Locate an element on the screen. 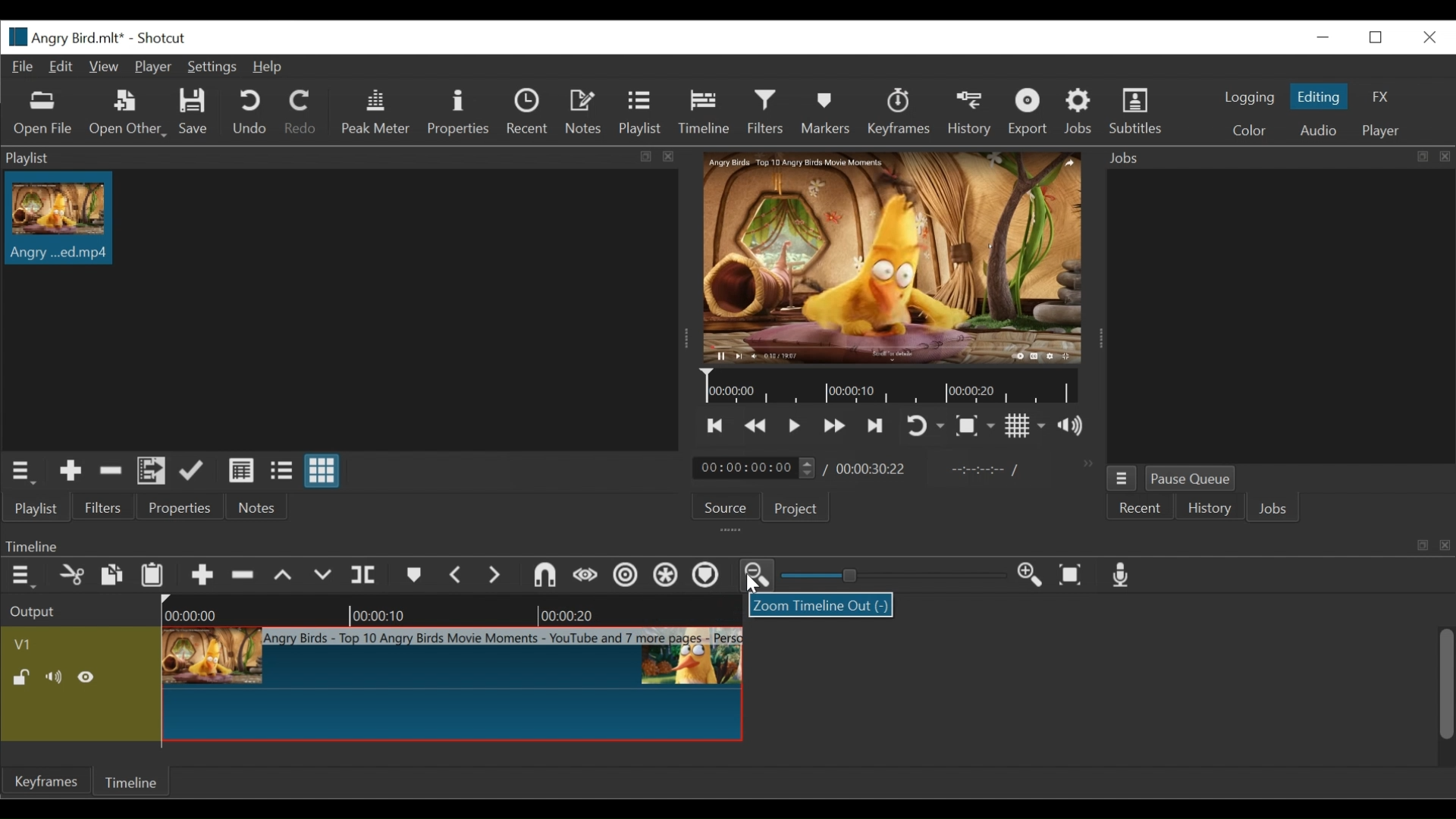  Peak Meter is located at coordinates (376, 114).